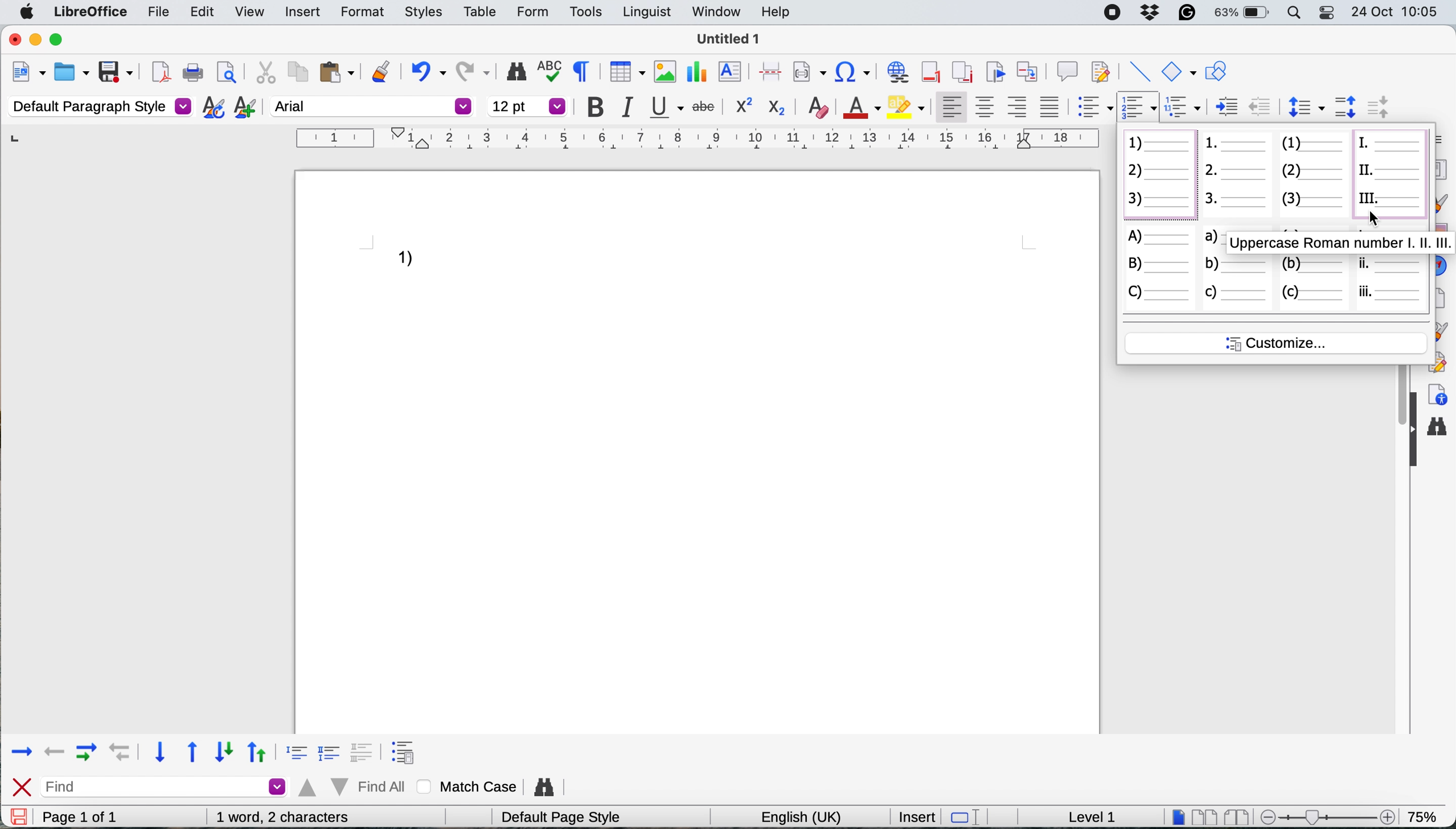  I want to click on clear direct formatting, so click(819, 106).